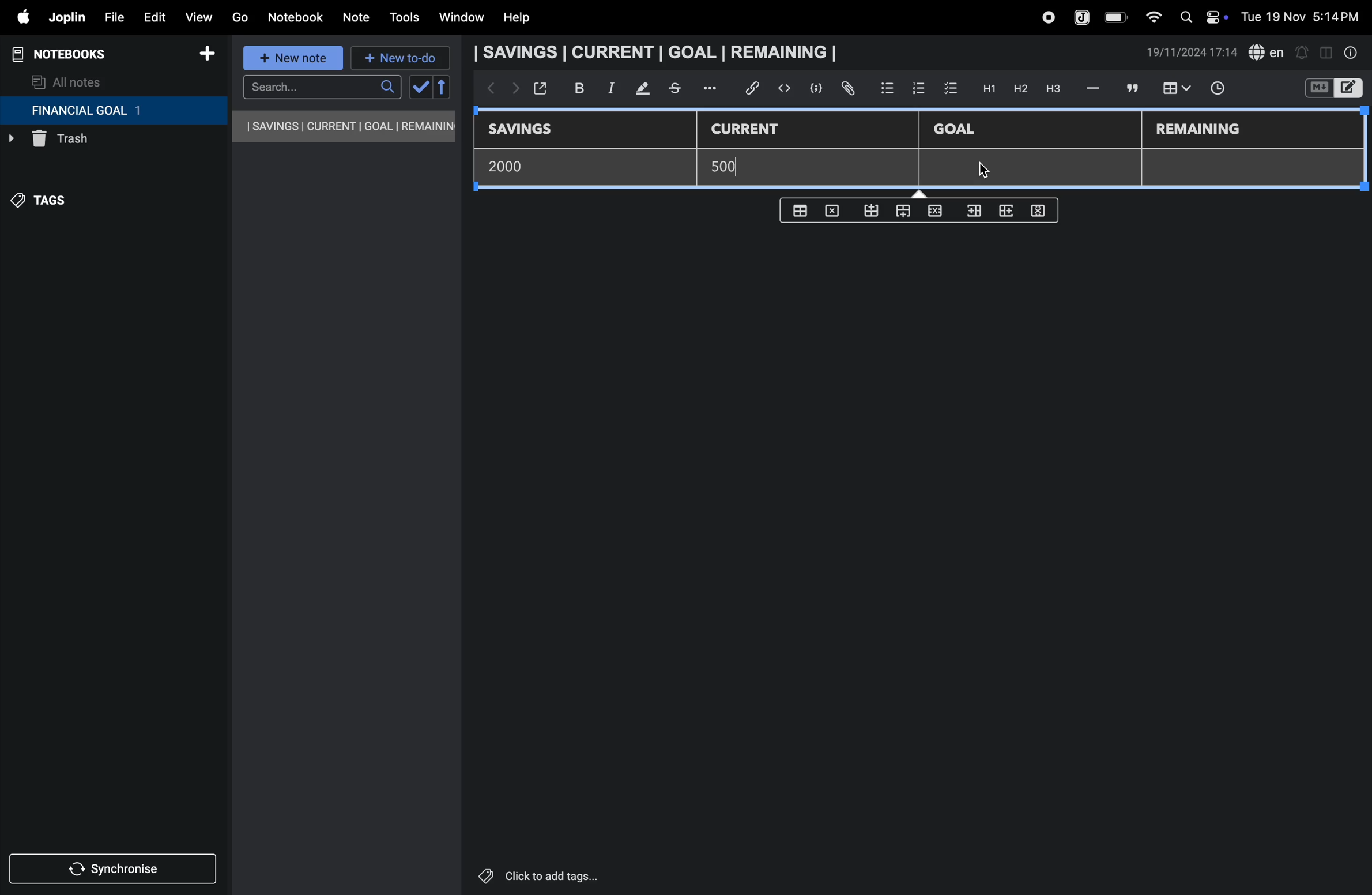 The width and height of the screenshot is (1372, 895). What do you see at coordinates (512, 91) in the screenshot?
I see `forward` at bounding box center [512, 91].